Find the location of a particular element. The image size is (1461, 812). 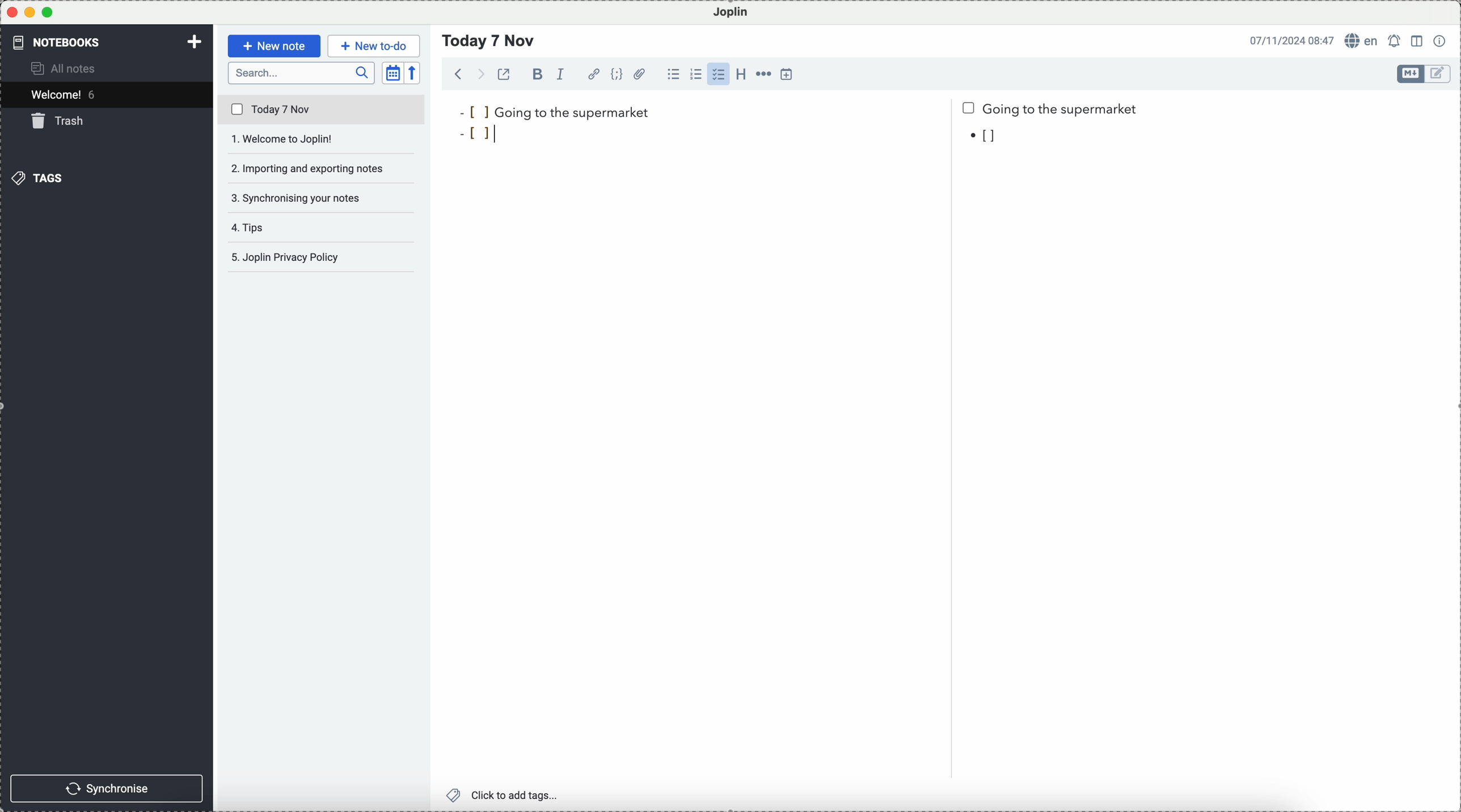

Today 7 Nov - typing title is located at coordinates (489, 41).